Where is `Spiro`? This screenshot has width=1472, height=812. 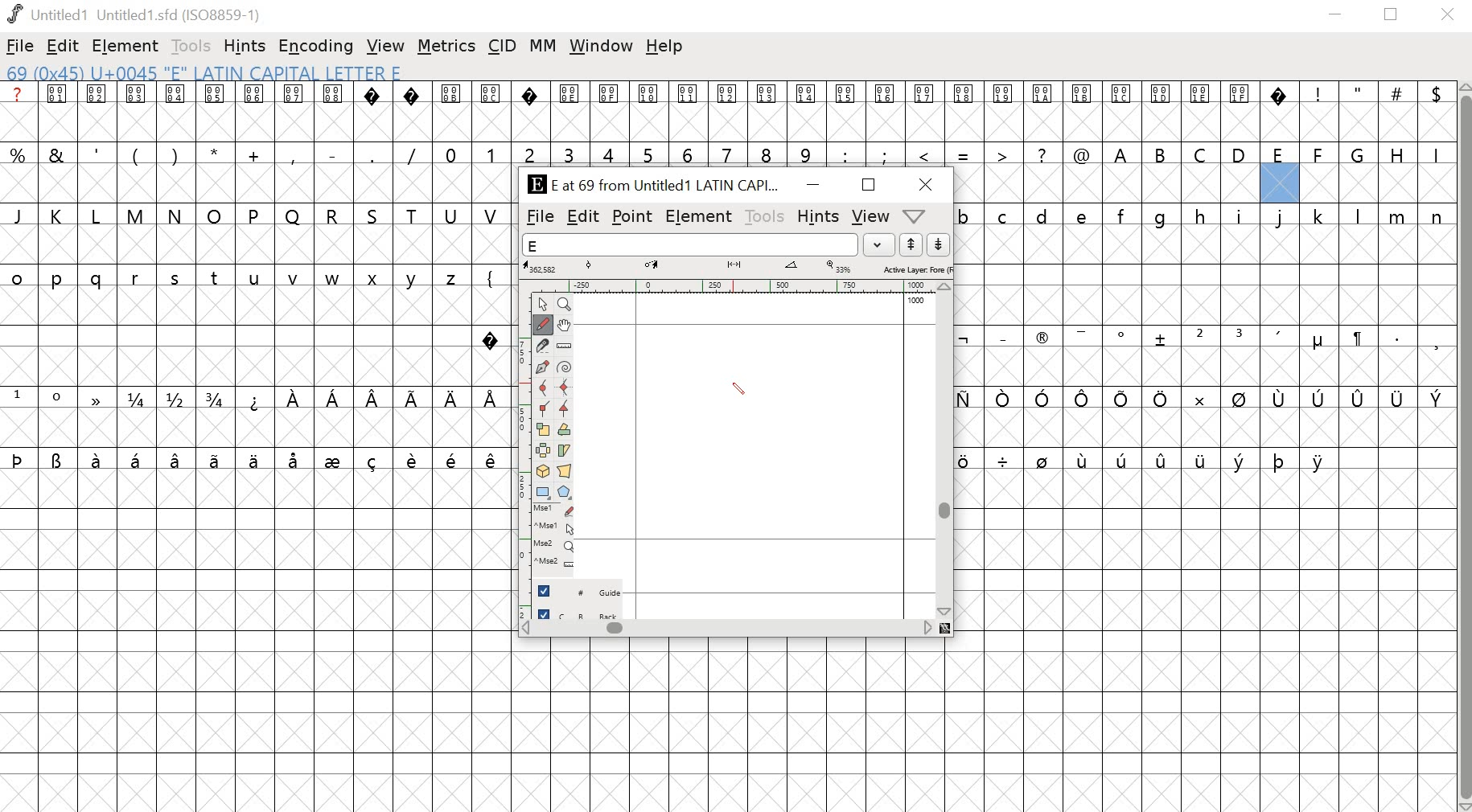
Spiro is located at coordinates (565, 366).